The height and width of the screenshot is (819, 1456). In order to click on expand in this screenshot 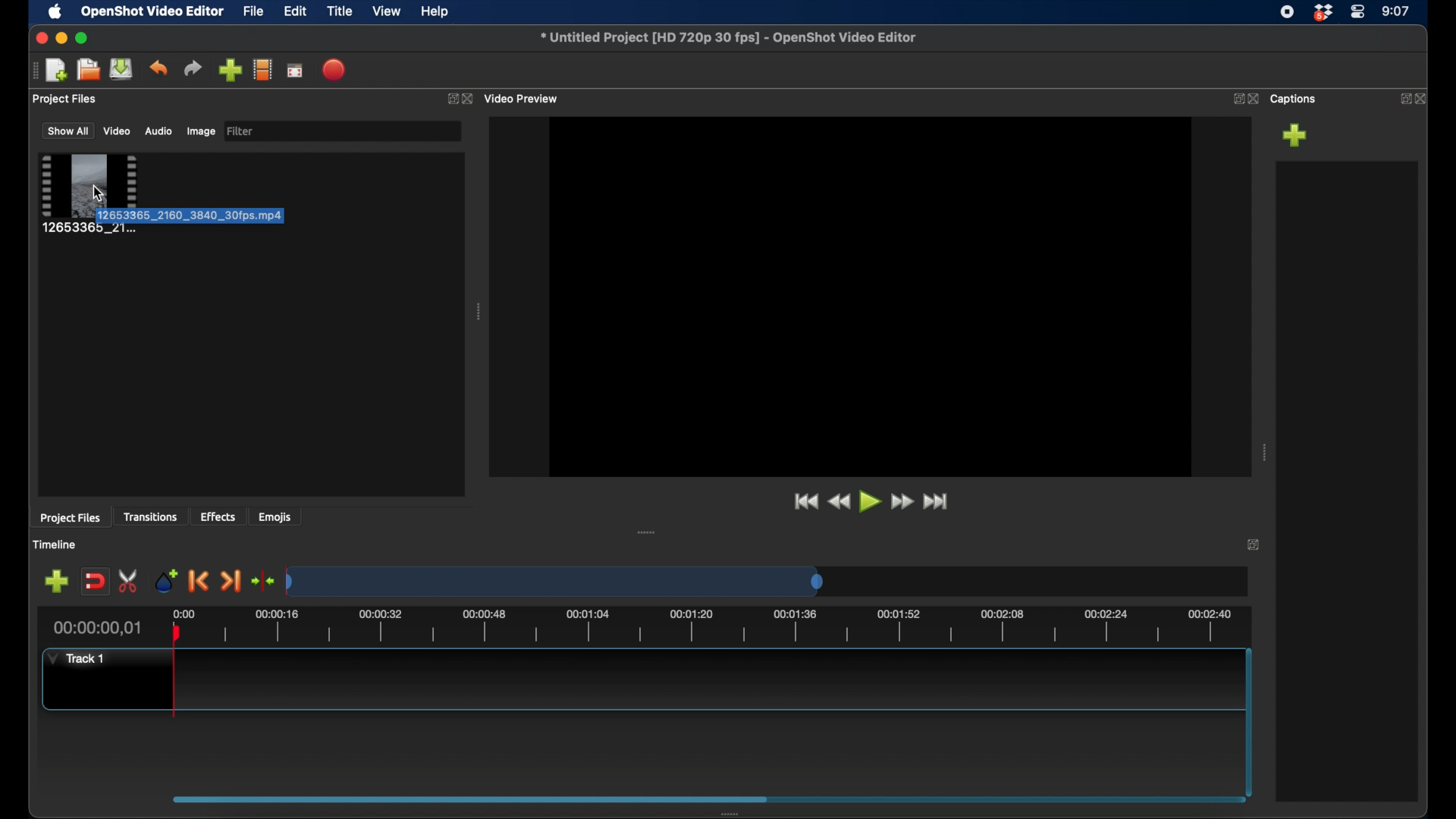, I will do `click(450, 98)`.